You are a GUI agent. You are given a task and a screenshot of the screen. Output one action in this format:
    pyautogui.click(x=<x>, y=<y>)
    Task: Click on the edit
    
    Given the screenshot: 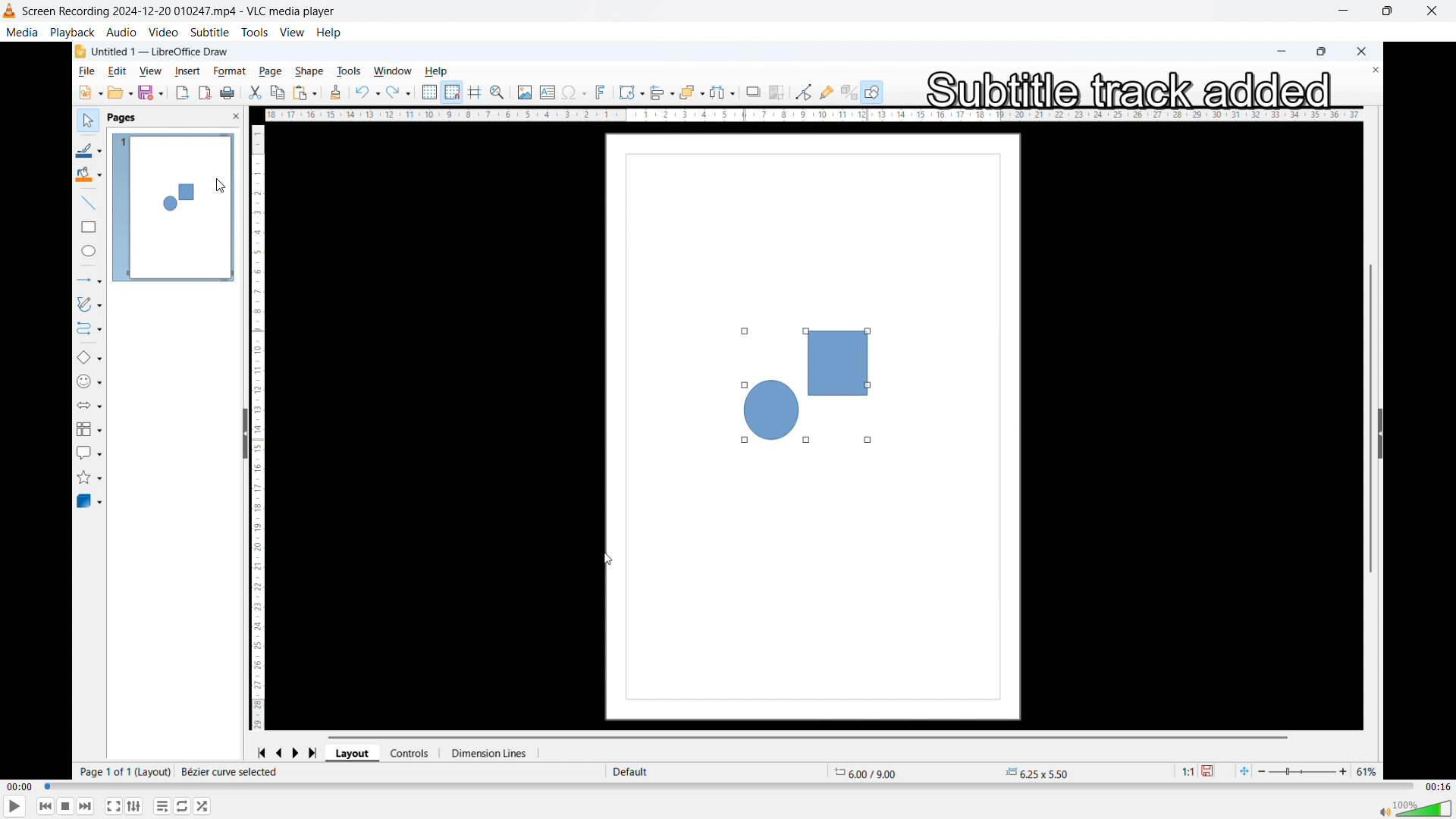 What is the action you would take?
    pyautogui.click(x=115, y=72)
    